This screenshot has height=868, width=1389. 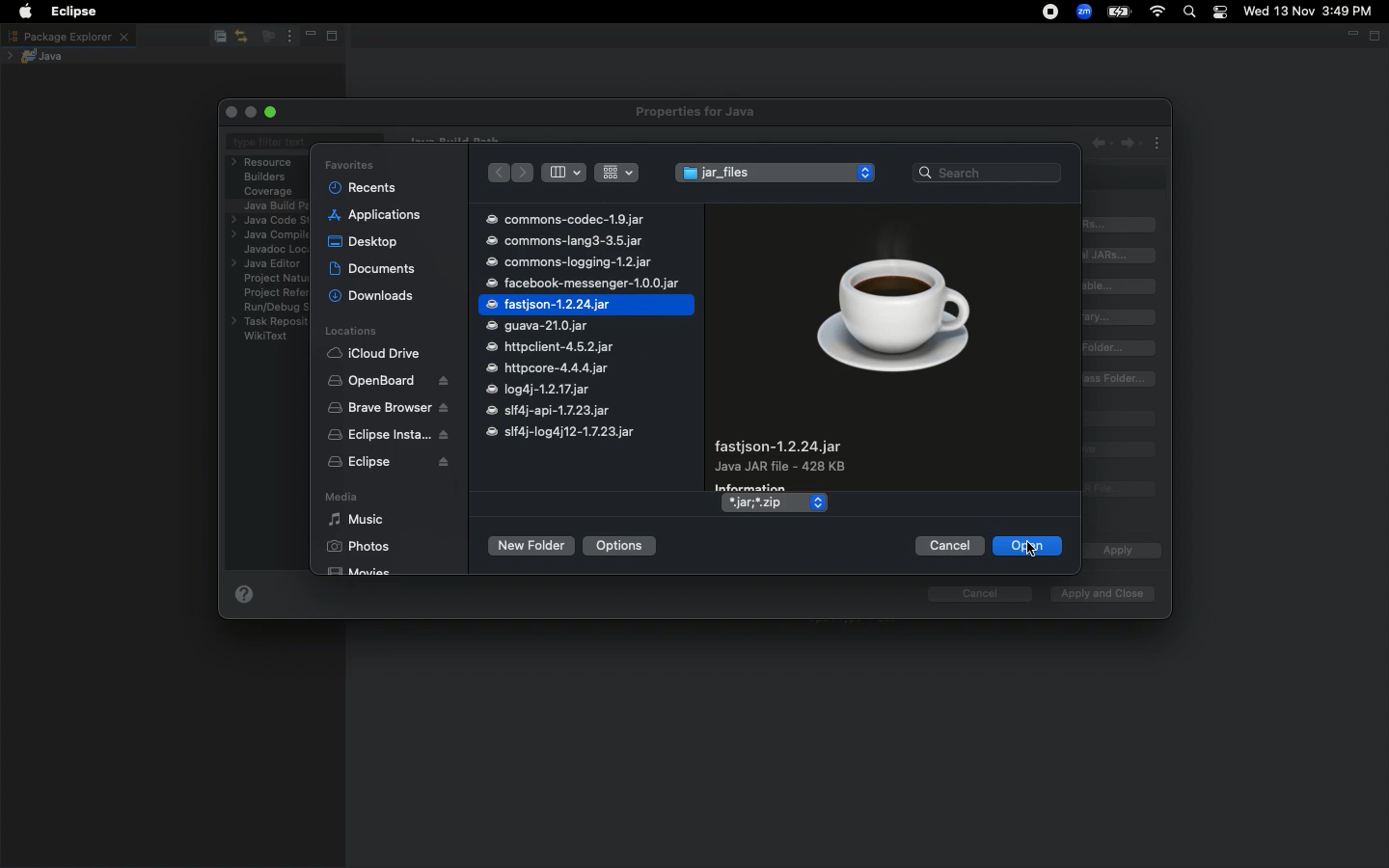 What do you see at coordinates (374, 354) in the screenshot?
I see `iCloud Drive` at bounding box center [374, 354].